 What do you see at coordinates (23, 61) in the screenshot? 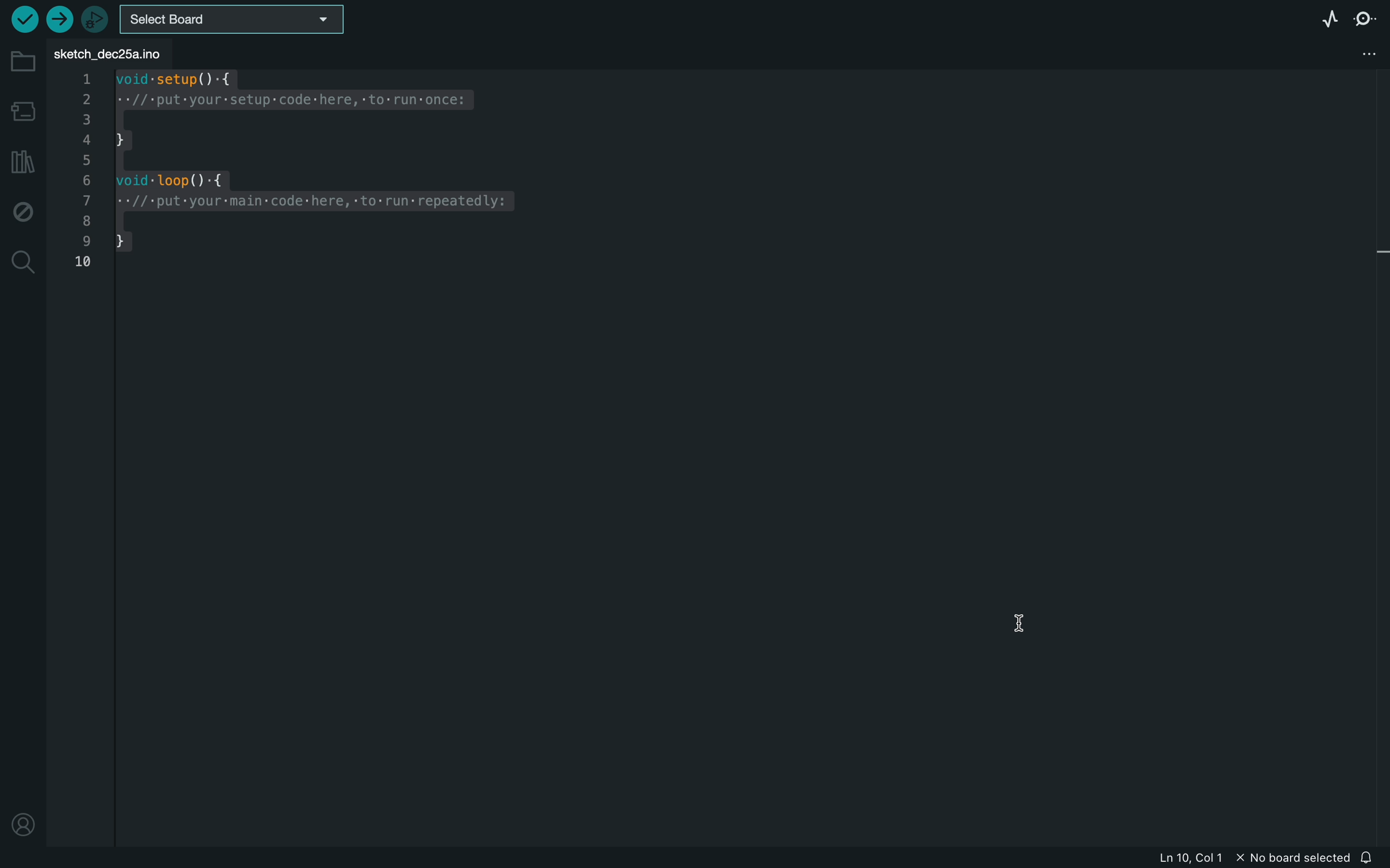
I see `folder` at bounding box center [23, 61].